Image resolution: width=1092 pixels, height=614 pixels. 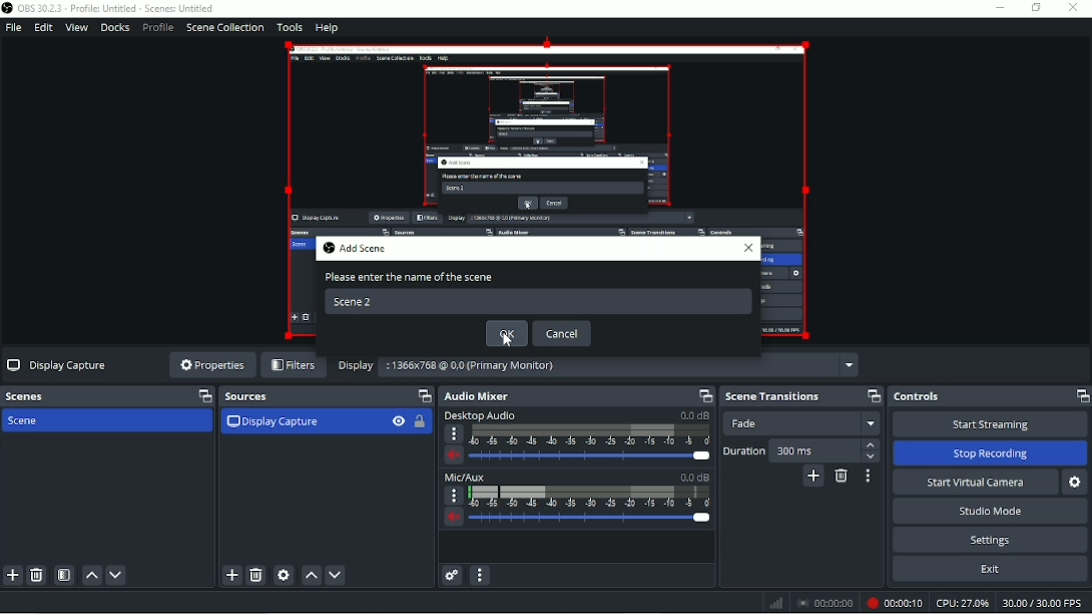 What do you see at coordinates (226, 27) in the screenshot?
I see `Scene collection` at bounding box center [226, 27].